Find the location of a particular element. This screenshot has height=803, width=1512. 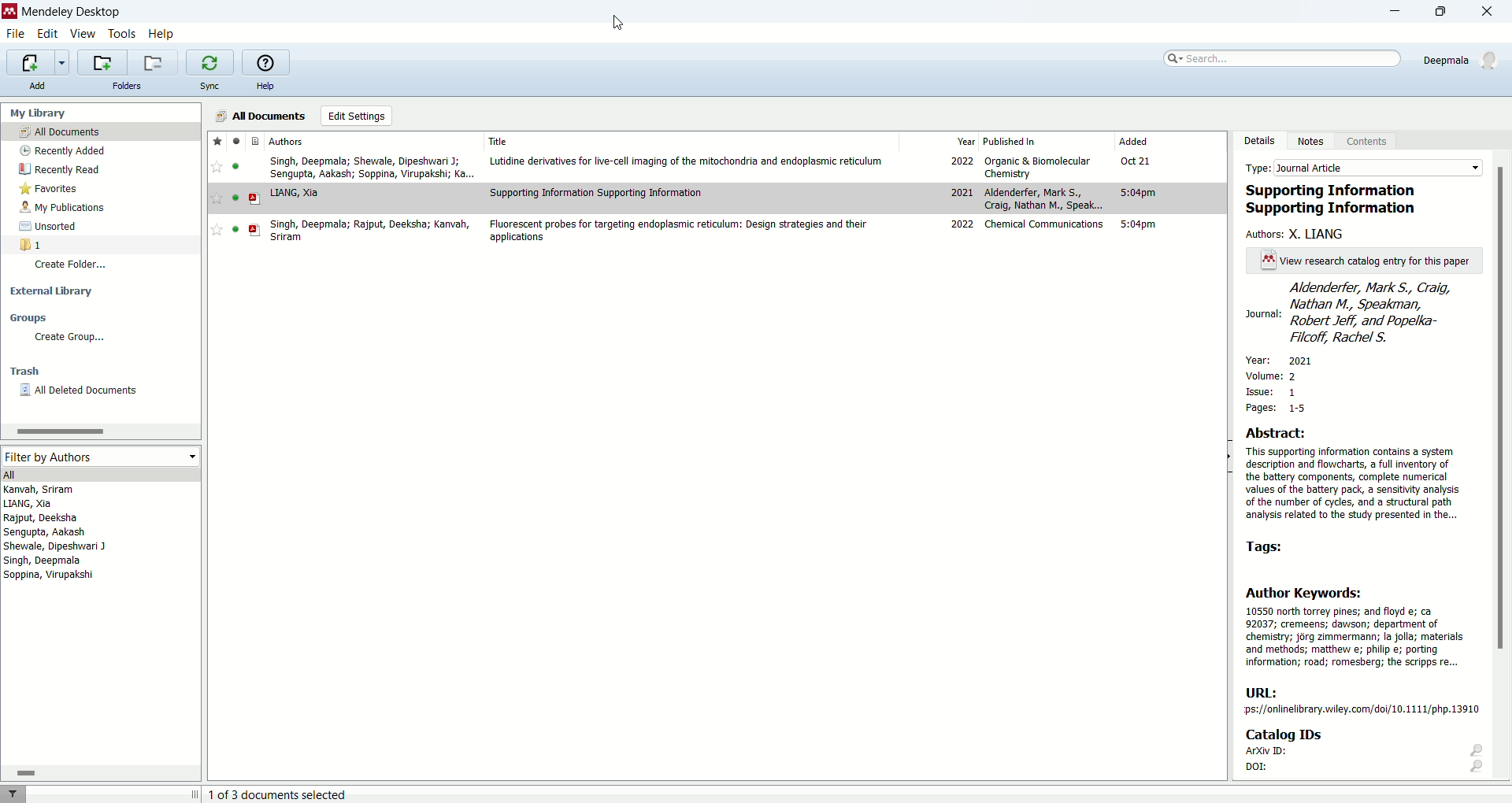

issue: 1 is located at coordinates (1273, 392).